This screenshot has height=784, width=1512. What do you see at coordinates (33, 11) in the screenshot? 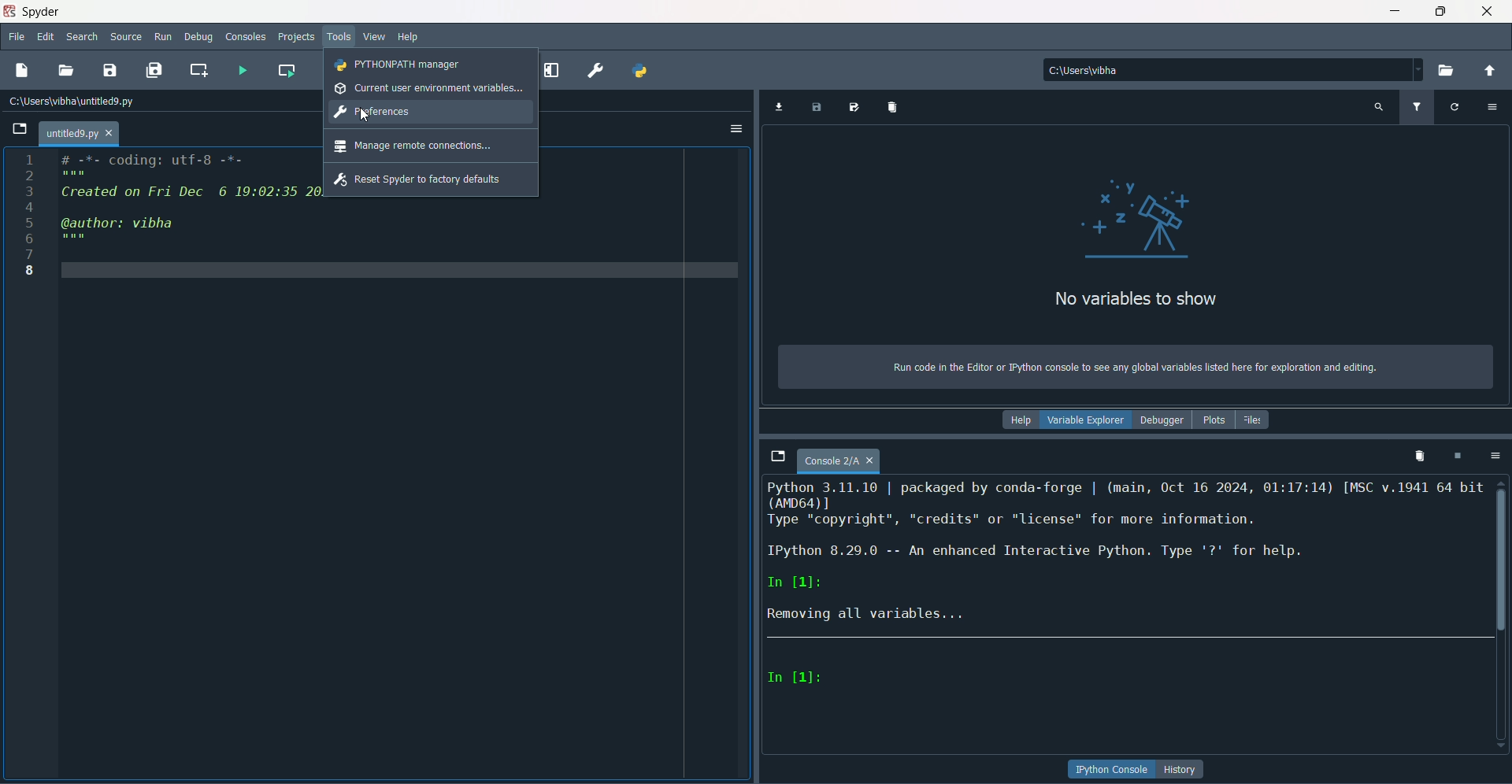
I see `name & logo` at bounding box center [33, 11].